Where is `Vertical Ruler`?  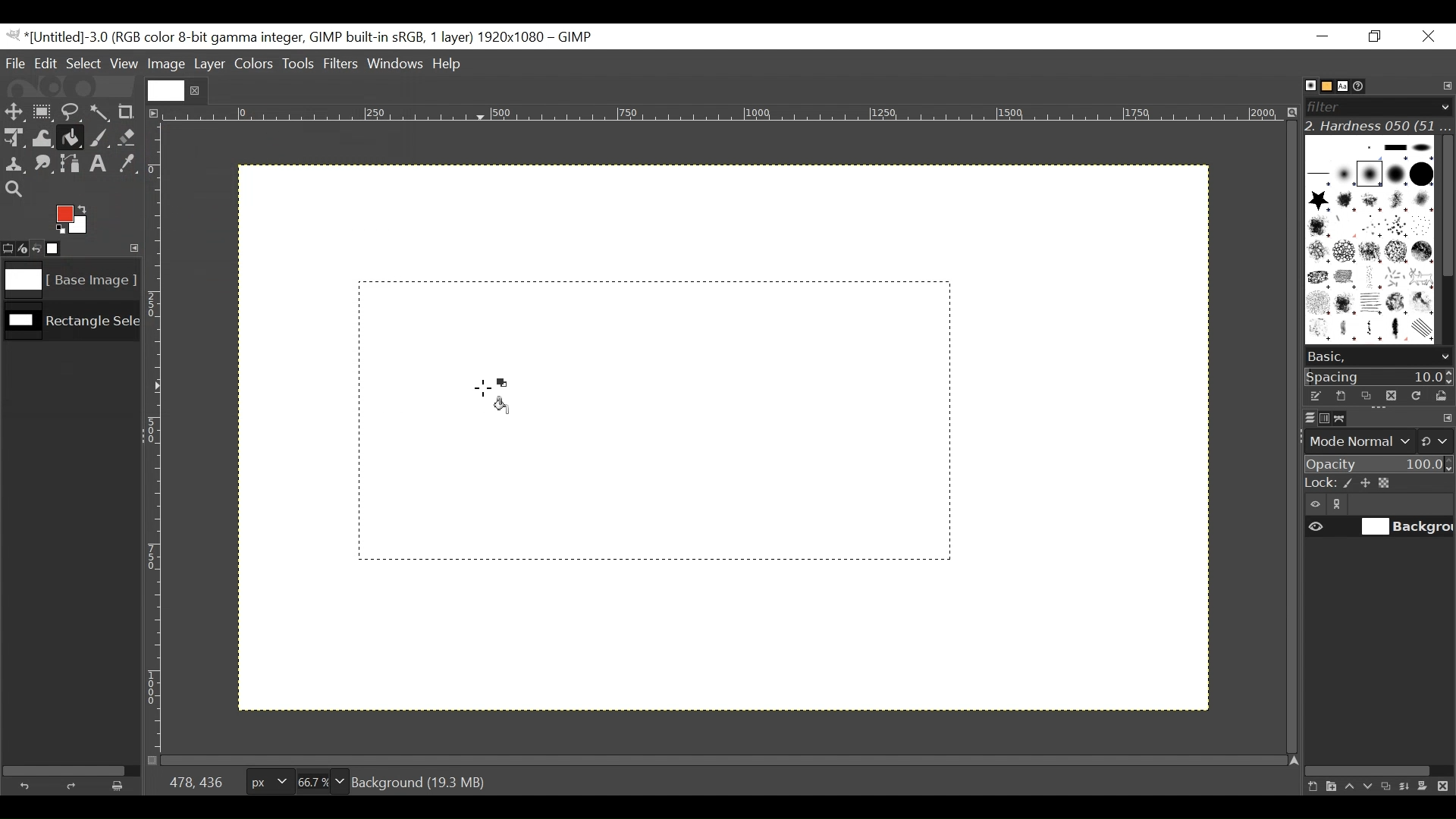 Vertical Ruler is located at coordinates (155, 438).